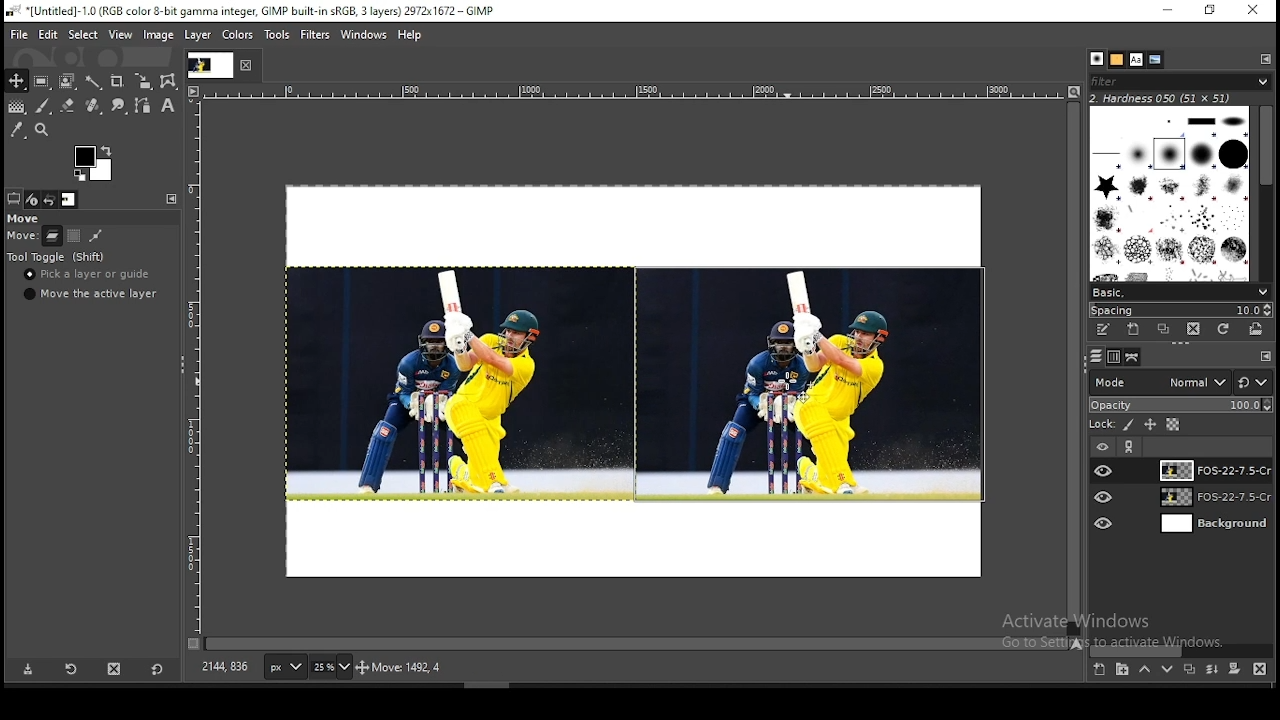 This screenshot has width=1280, height=720. I want to click on text, so click(1119, 631).